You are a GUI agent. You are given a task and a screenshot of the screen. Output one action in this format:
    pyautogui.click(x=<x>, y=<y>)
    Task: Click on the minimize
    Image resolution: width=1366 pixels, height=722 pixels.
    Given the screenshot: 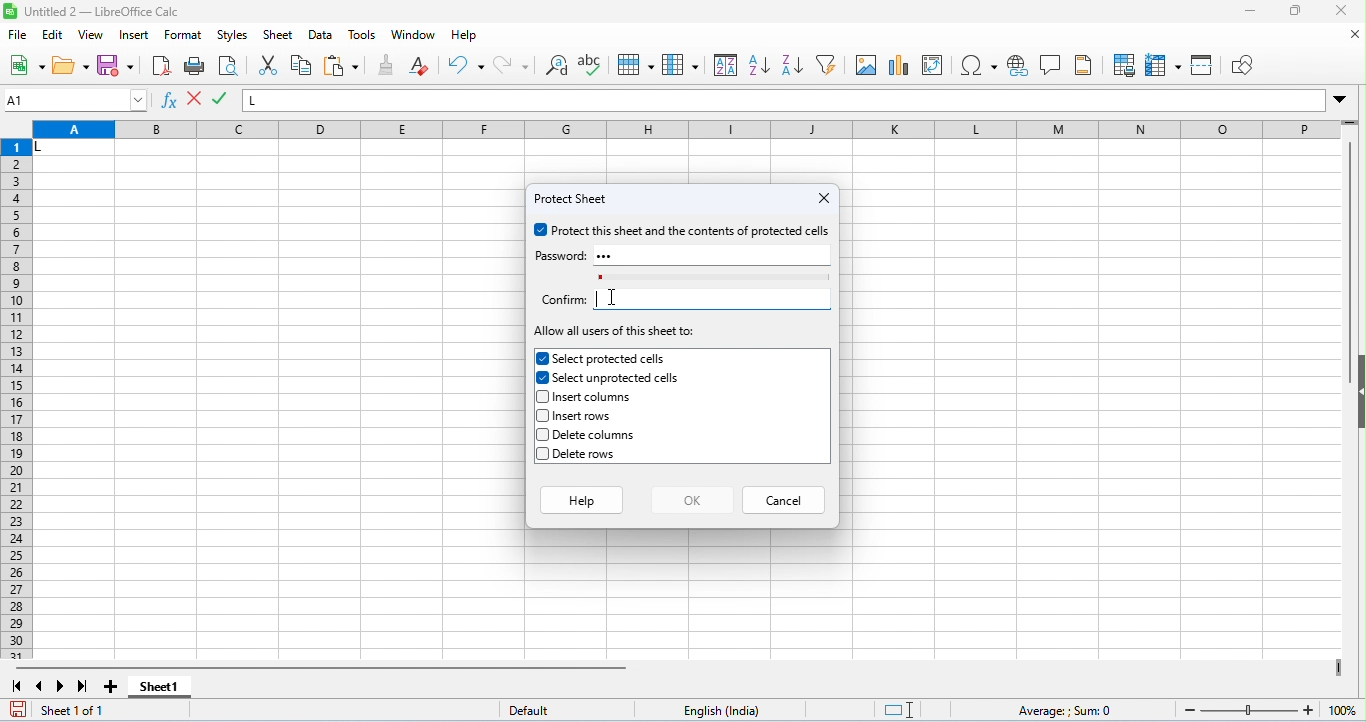 What is the action you would take?
    pyautogui.click(x=1250, y=12)
    